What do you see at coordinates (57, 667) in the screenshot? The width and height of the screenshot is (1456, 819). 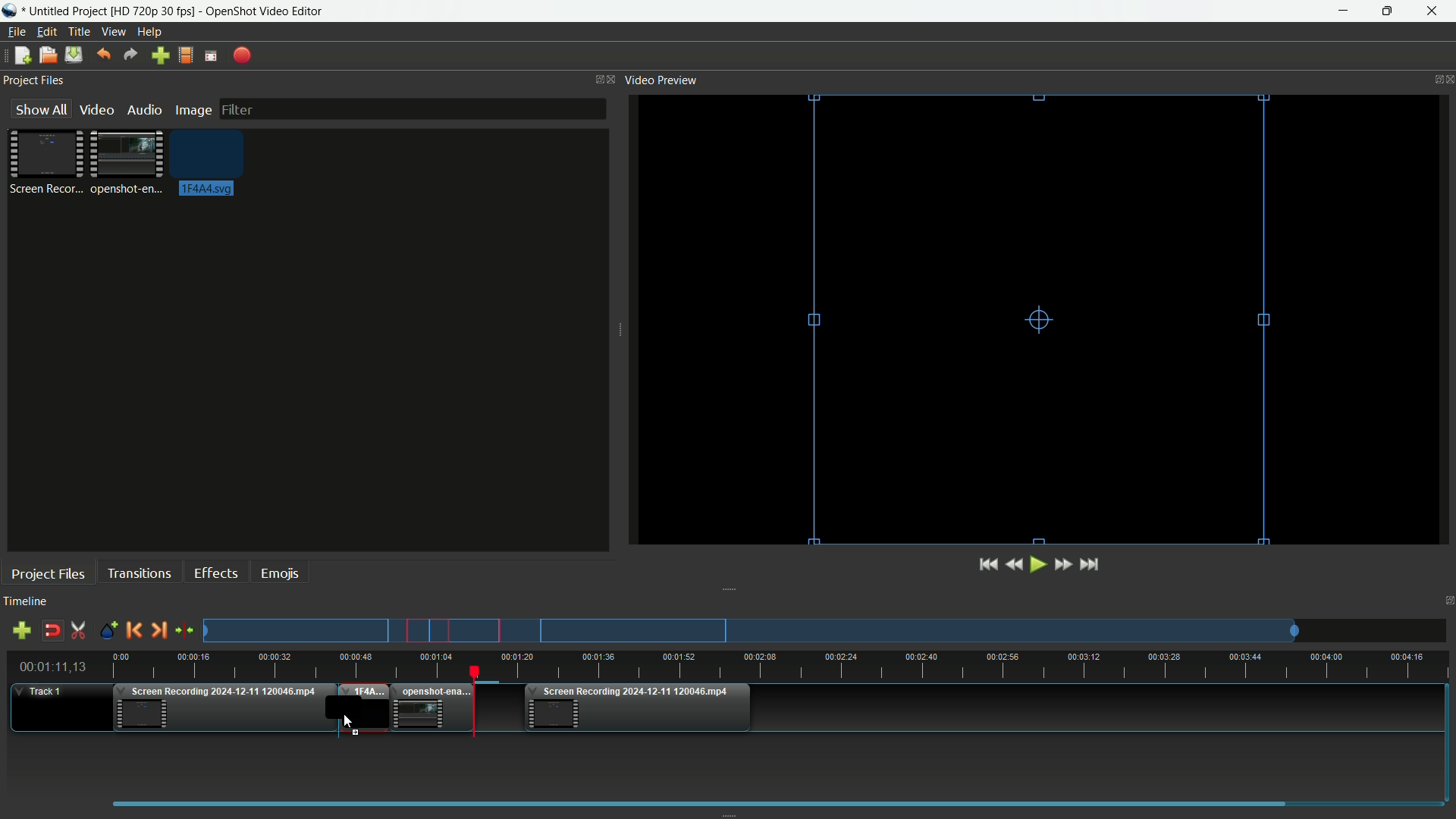 I see `Current time` at bounding box center [57, 667].